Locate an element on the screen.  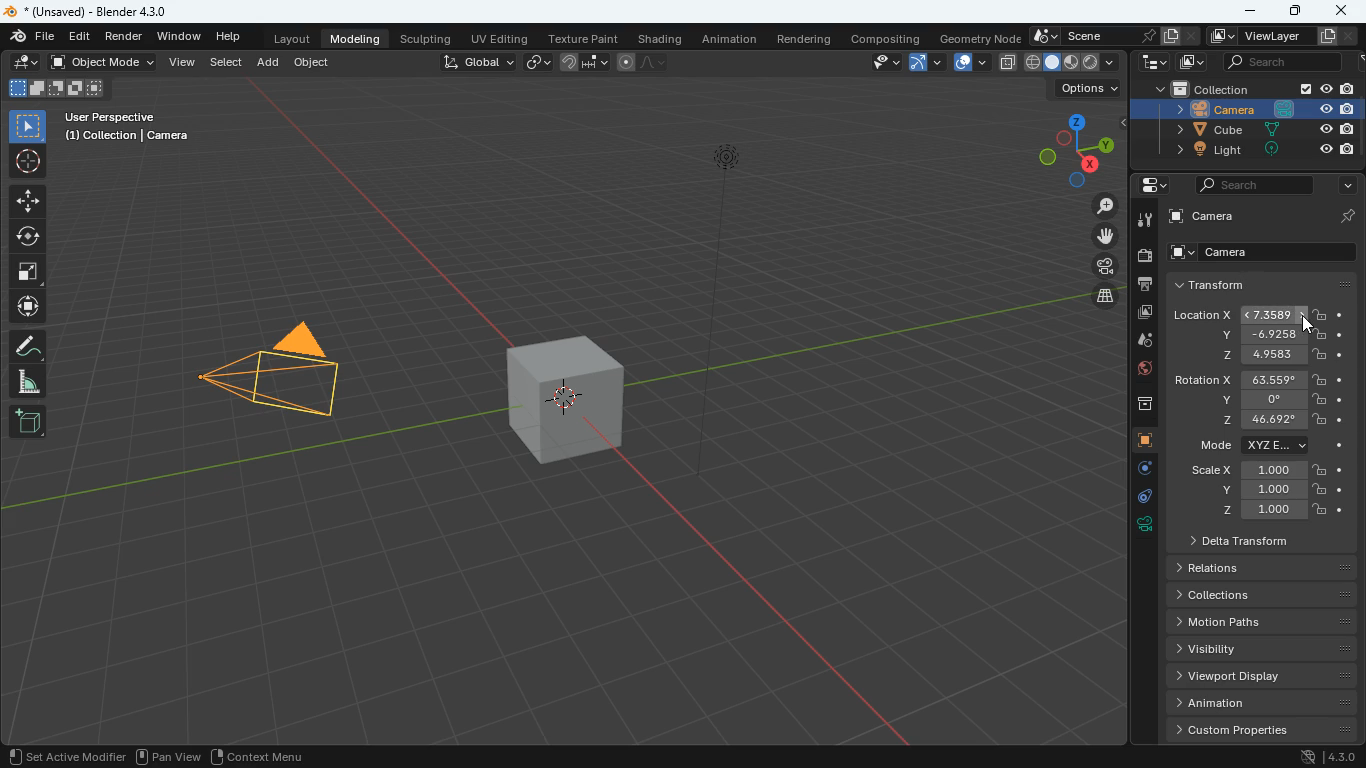
geometry node is located at coordinates (981, 37).